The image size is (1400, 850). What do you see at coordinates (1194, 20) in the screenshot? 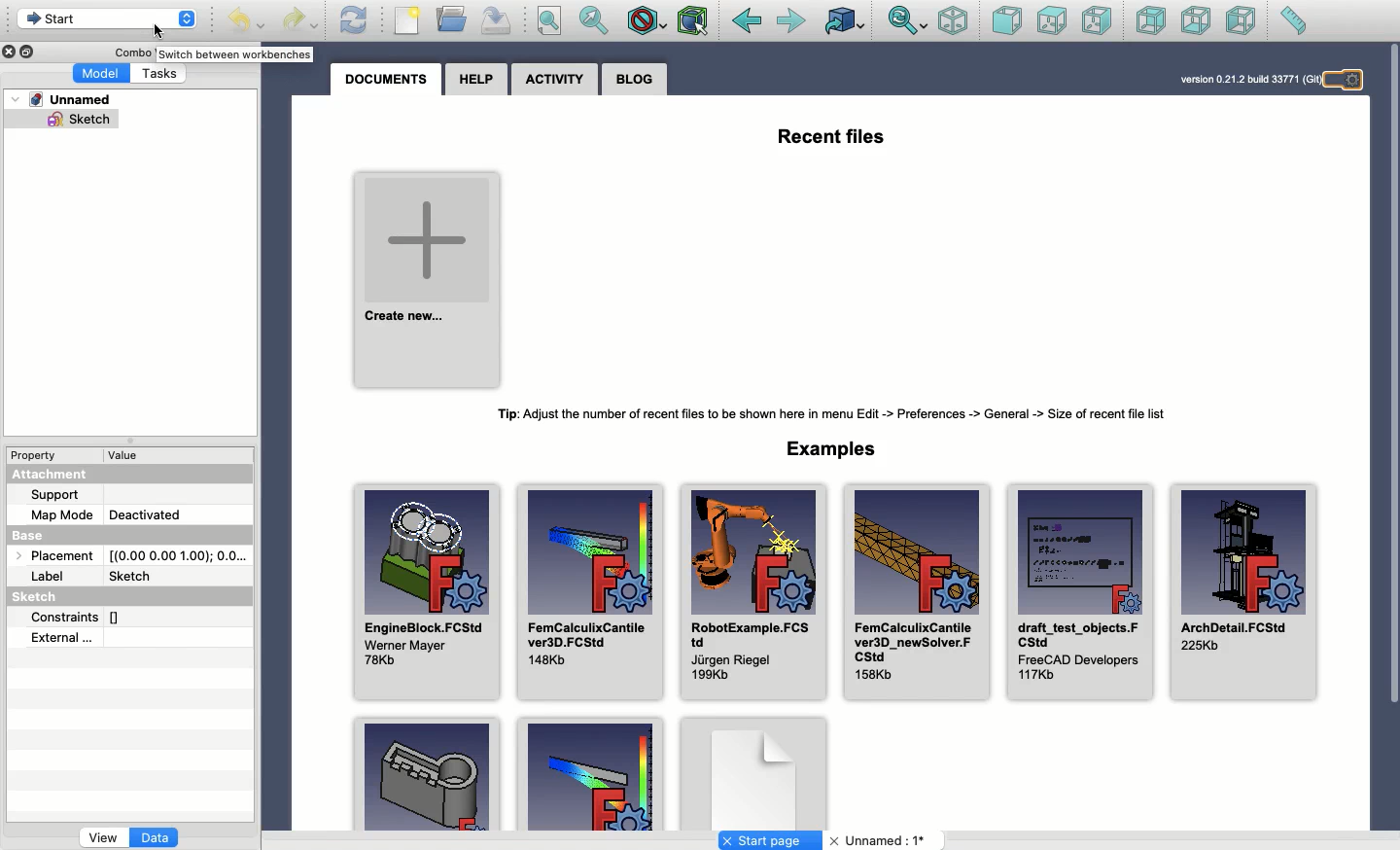
I see `Bottom` at bounding box center [1194, 20].